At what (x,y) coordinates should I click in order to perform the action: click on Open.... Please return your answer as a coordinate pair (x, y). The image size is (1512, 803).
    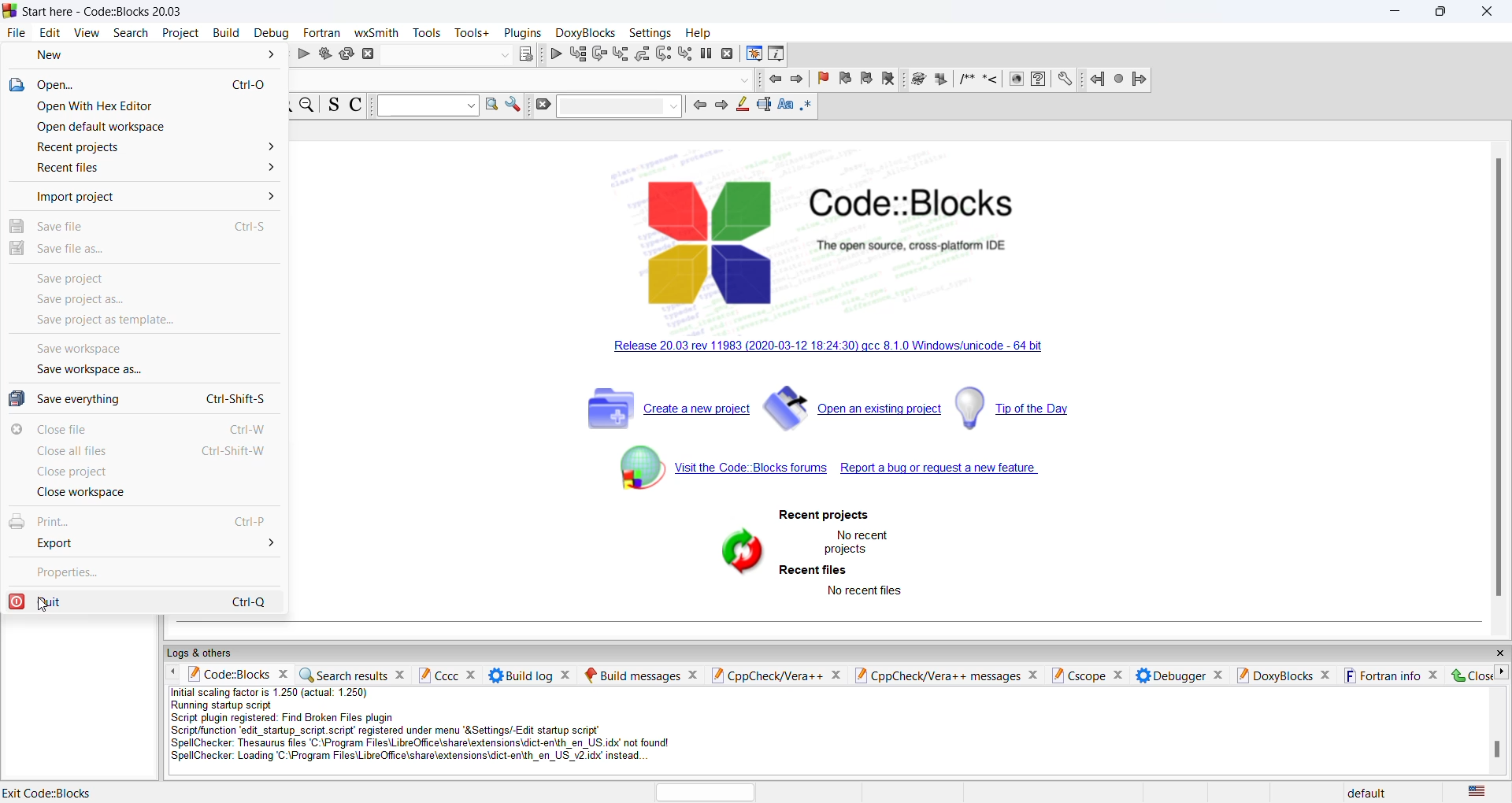
    Looking at the image, I should click on (154, 85).